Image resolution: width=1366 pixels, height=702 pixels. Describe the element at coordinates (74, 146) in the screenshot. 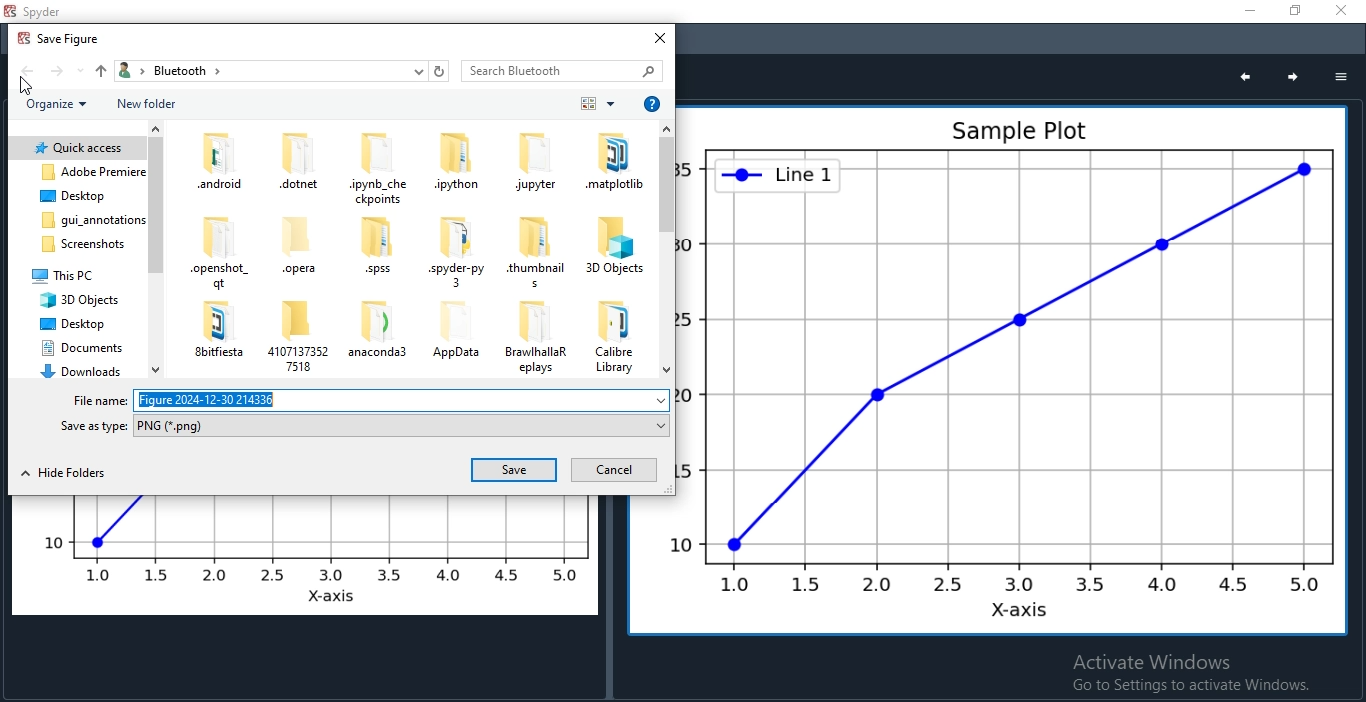

I see `folder 1` at that location.